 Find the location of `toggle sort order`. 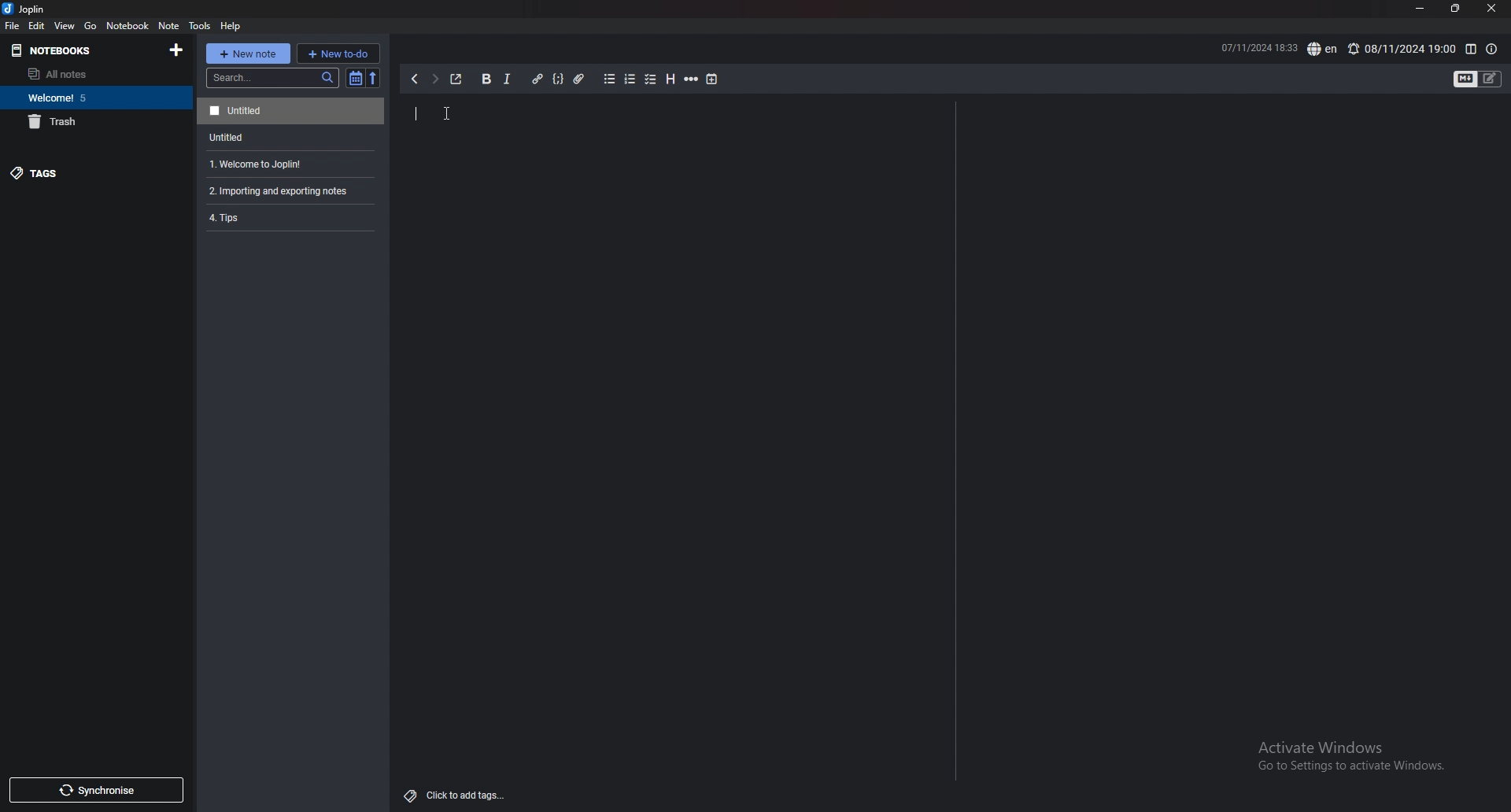

toggle sort order is located at coordinates (356, 78).